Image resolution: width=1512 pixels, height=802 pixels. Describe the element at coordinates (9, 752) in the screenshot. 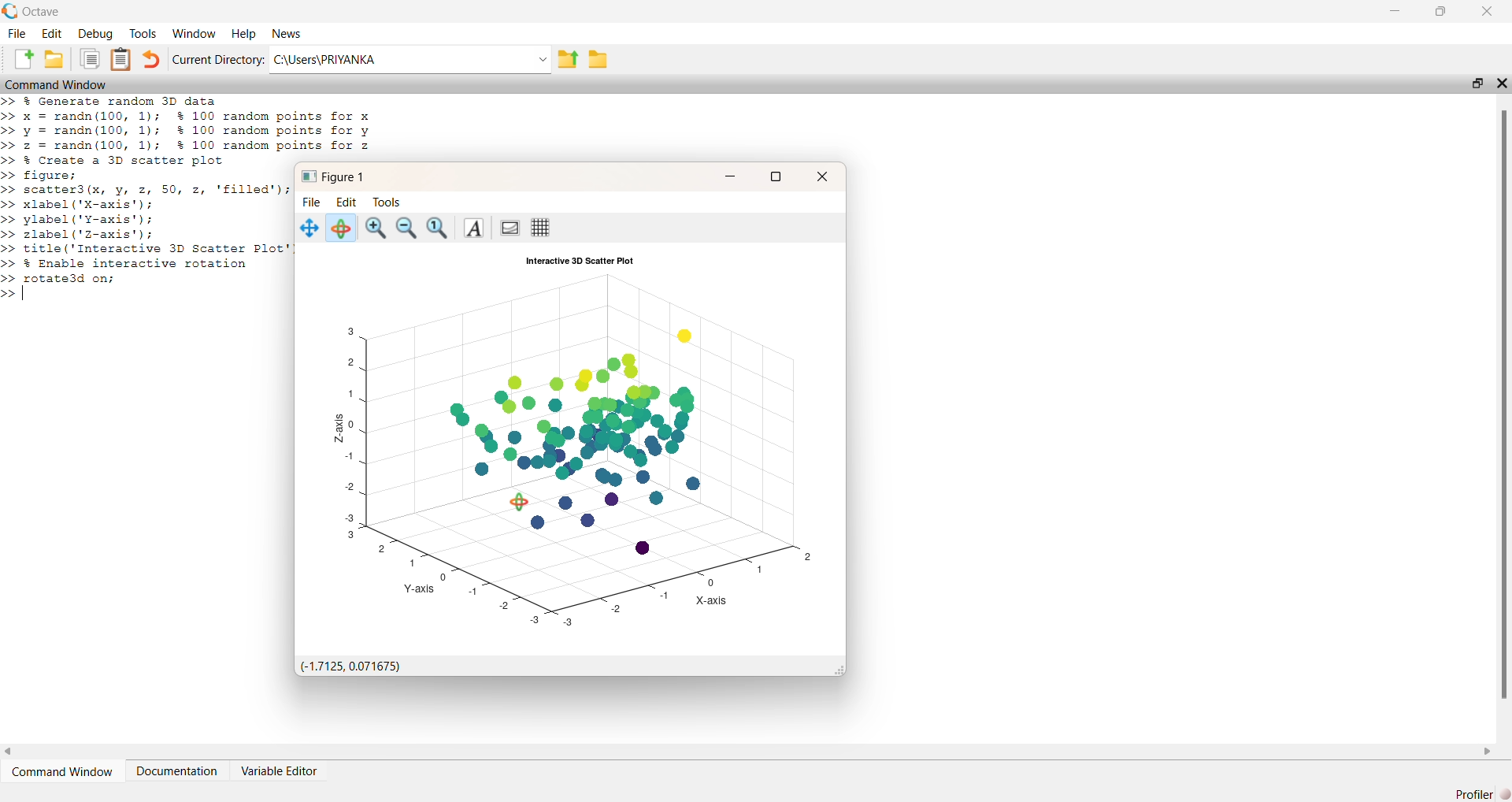

I see `scroll left` at that location.